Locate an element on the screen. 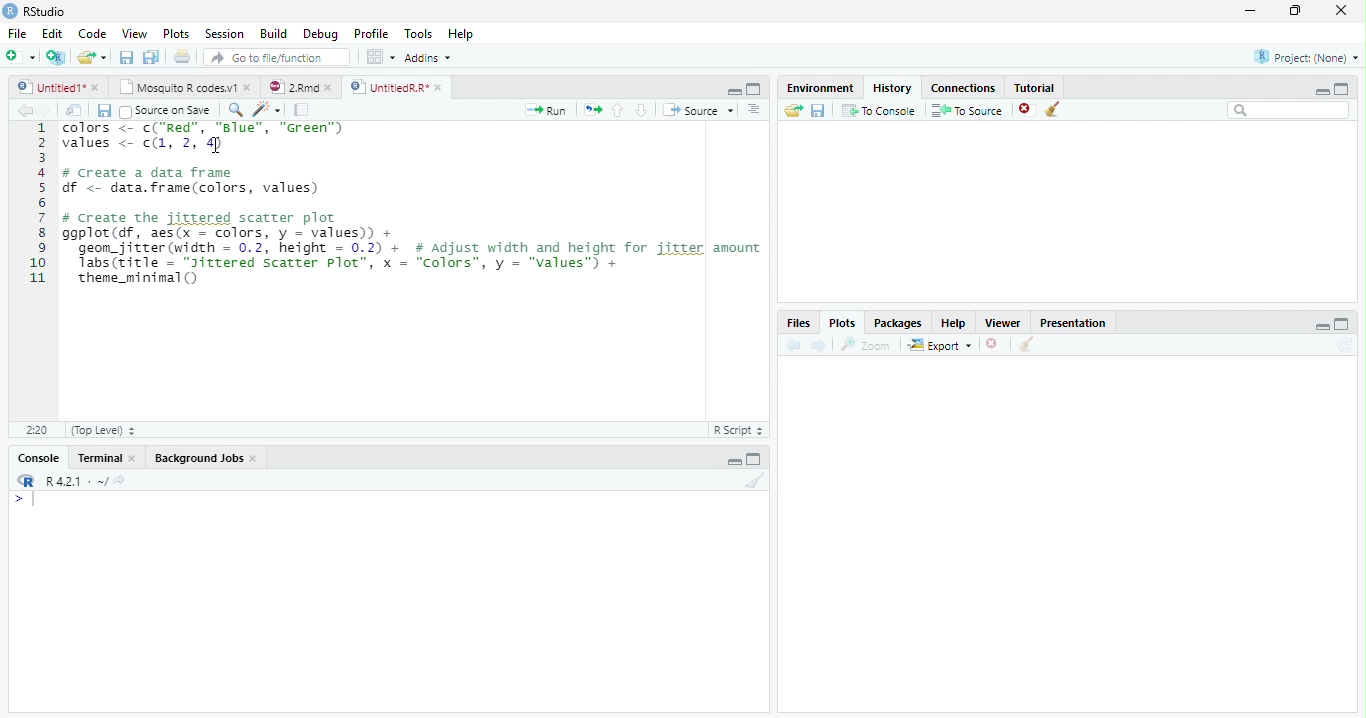 This screenshot has width=1366, height=718. Clear console is located at coordinates (754, 481).